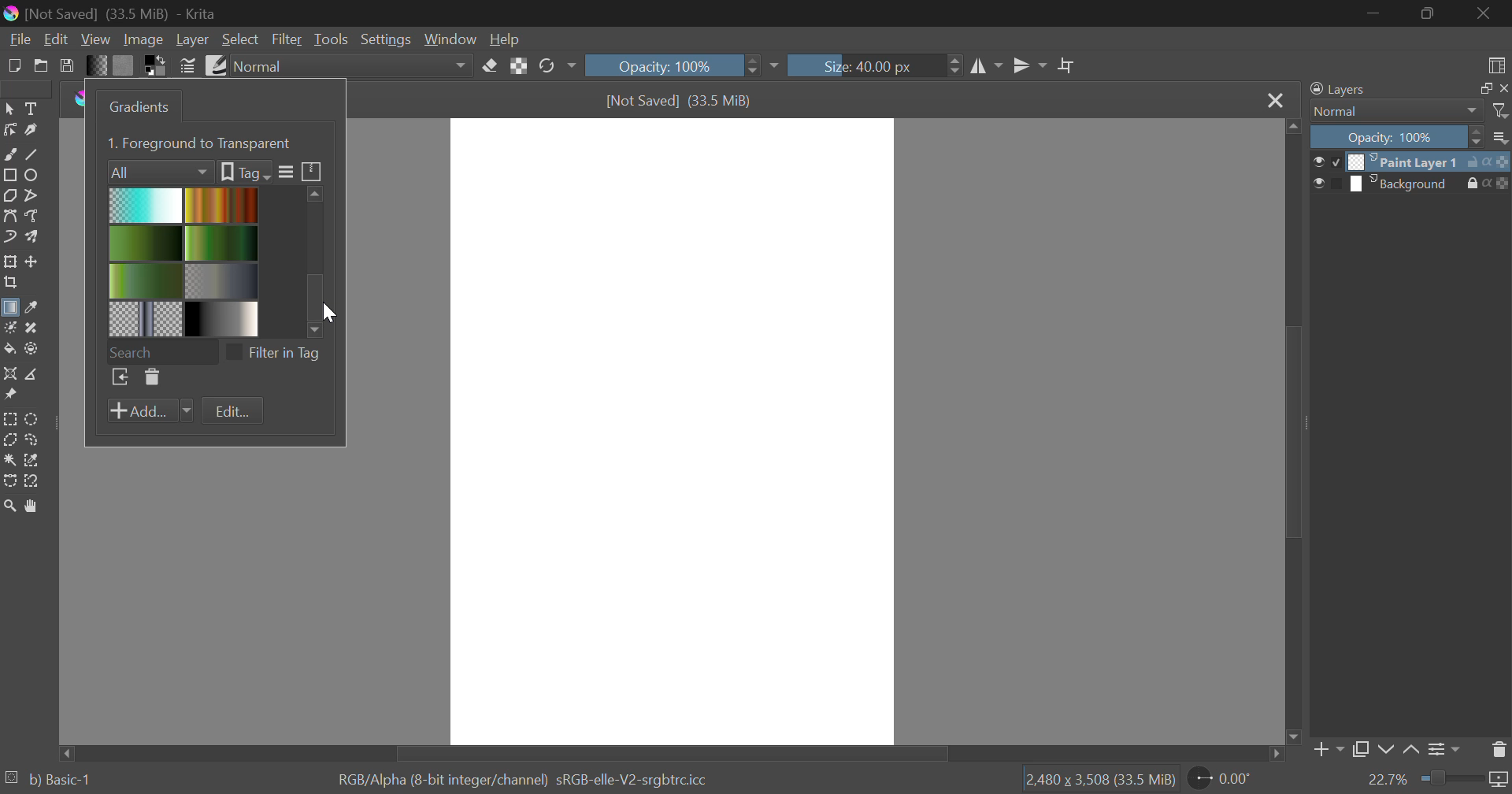 The width and height of the screenshot is (1512, 794). Describe the element at coordinates (223, 279) in the screenshot. I see `Gradient 6` at that location.